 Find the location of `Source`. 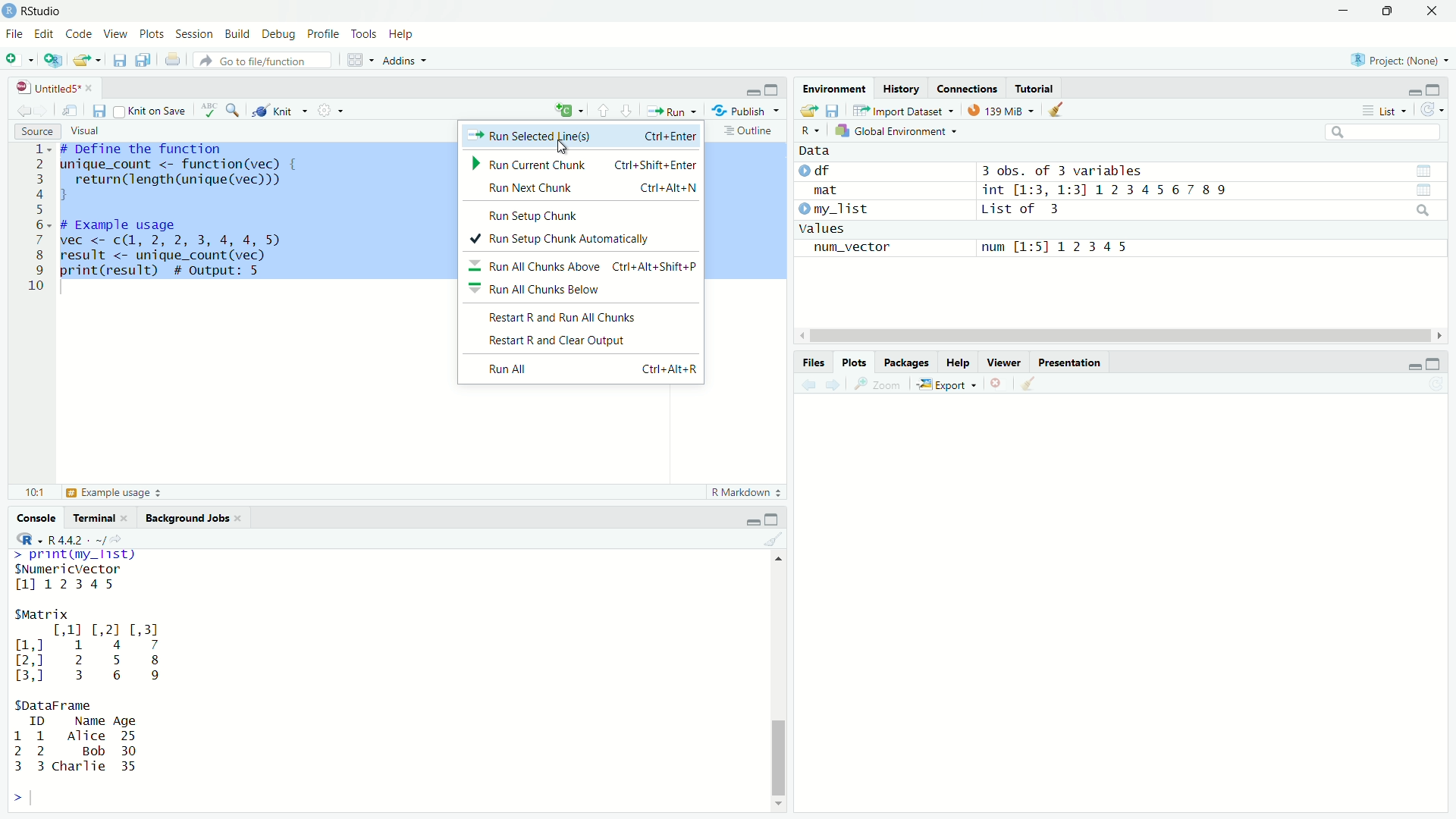

Source is located at coordinates (35, 130).